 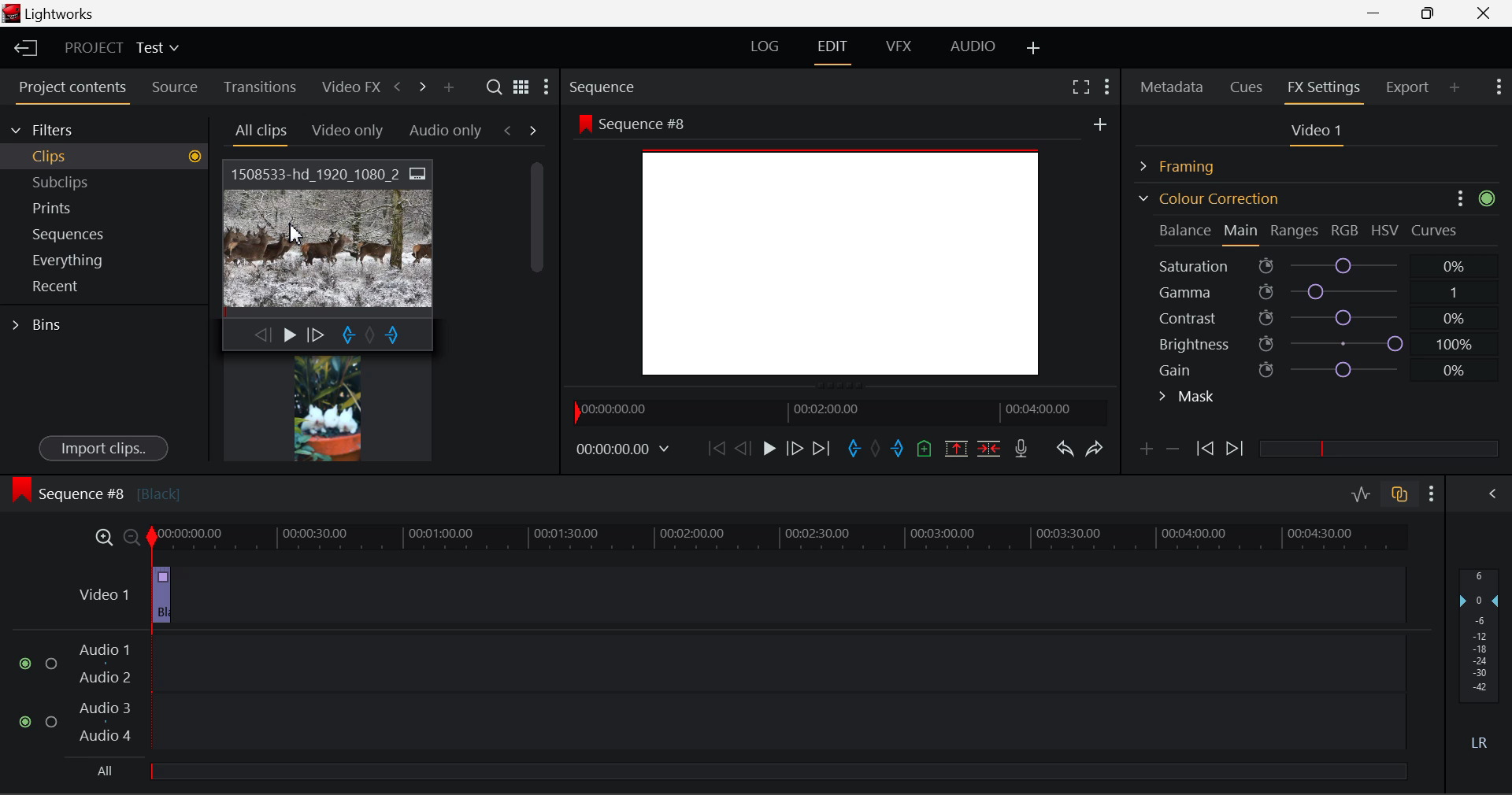 What do you see at coordinates (496, 87) in the screenshot?
I see `Search` at bounding box center [496, 87].